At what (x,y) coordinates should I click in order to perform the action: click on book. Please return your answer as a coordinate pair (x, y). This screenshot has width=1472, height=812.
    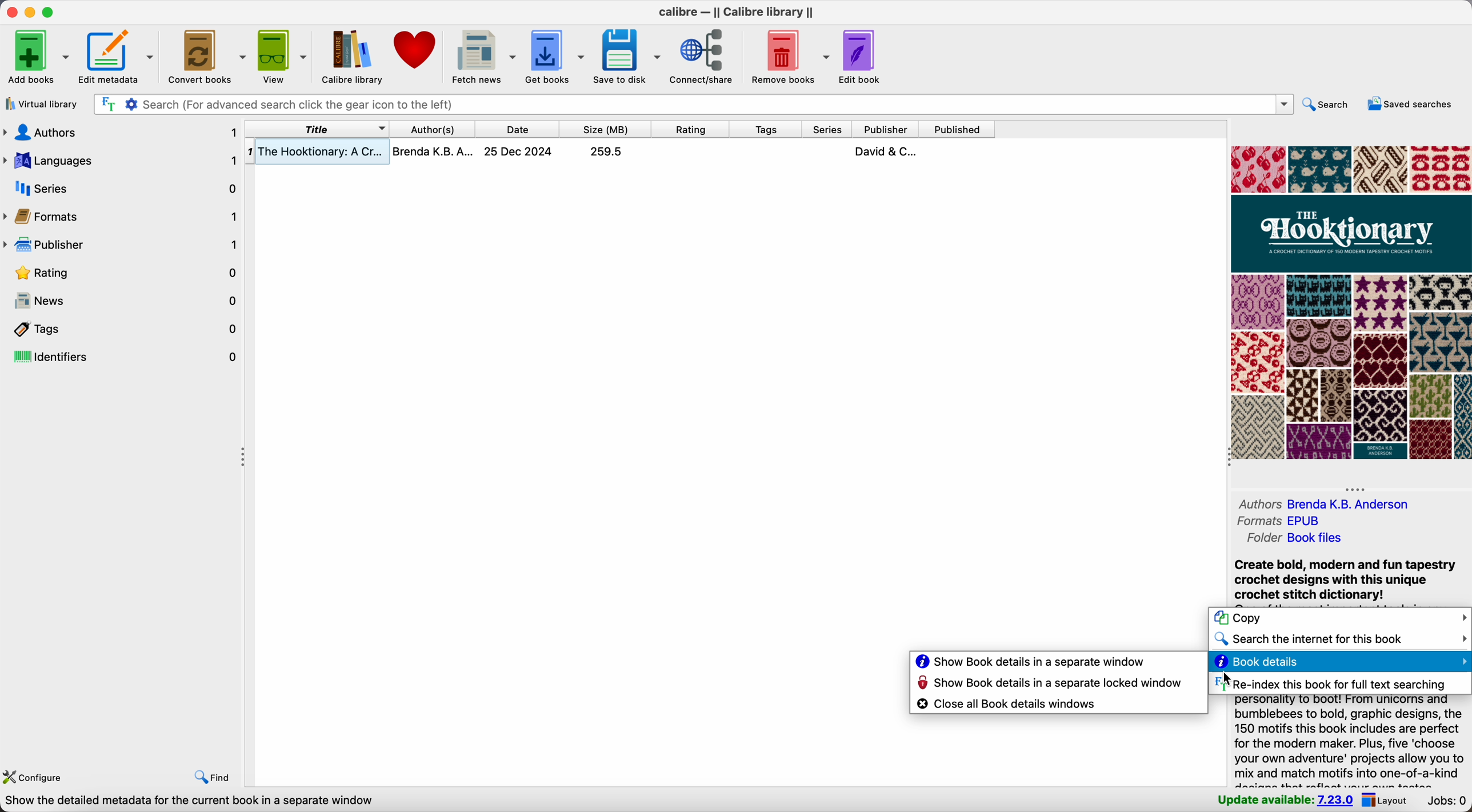
    Looking at the image, I should click on (620, 154).